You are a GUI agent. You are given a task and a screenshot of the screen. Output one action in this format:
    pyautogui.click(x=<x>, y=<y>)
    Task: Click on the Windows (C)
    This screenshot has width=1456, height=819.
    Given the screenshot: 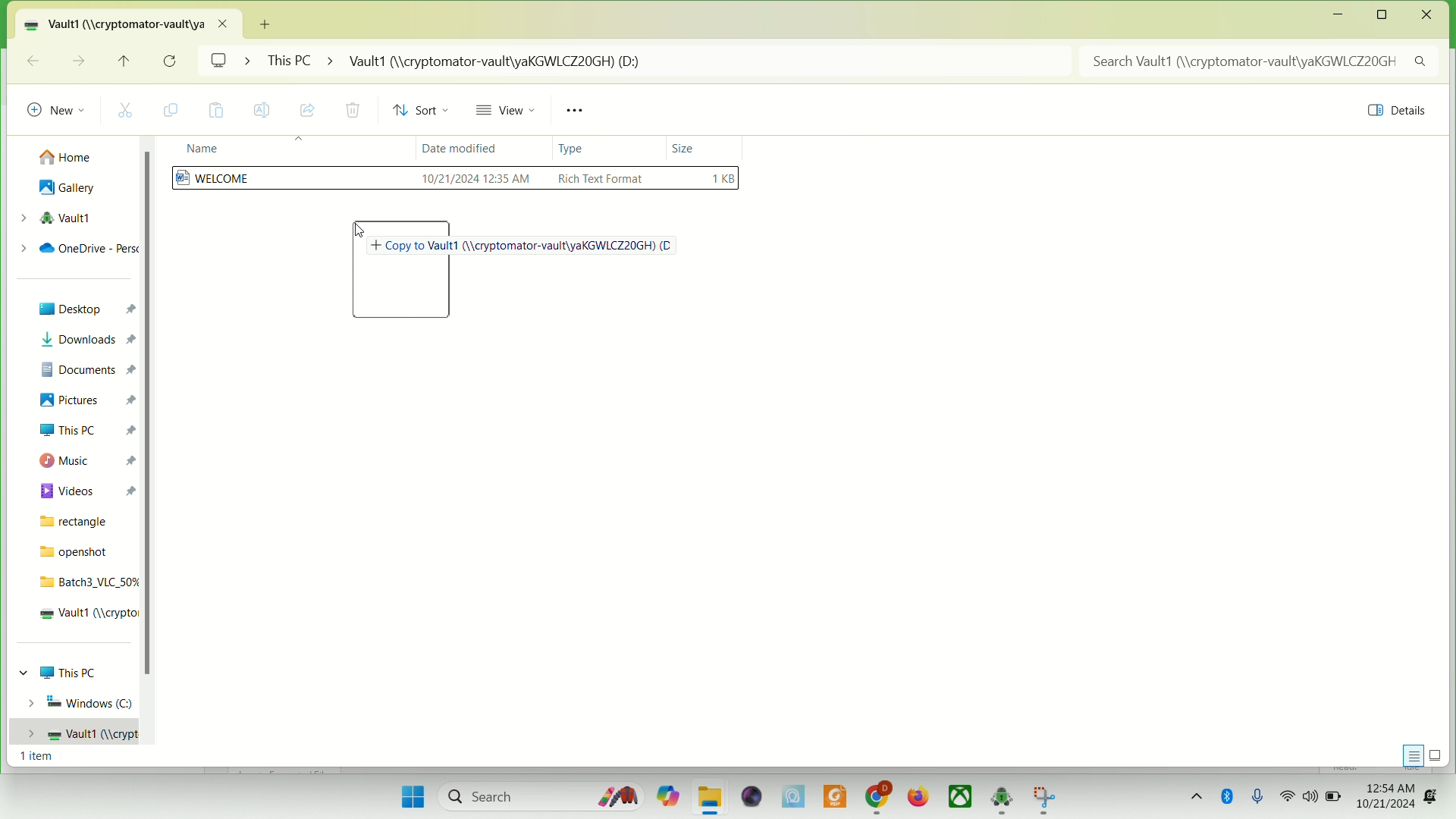 What is the action you would take?
    pyautogui.click(x=77, y=702)
    